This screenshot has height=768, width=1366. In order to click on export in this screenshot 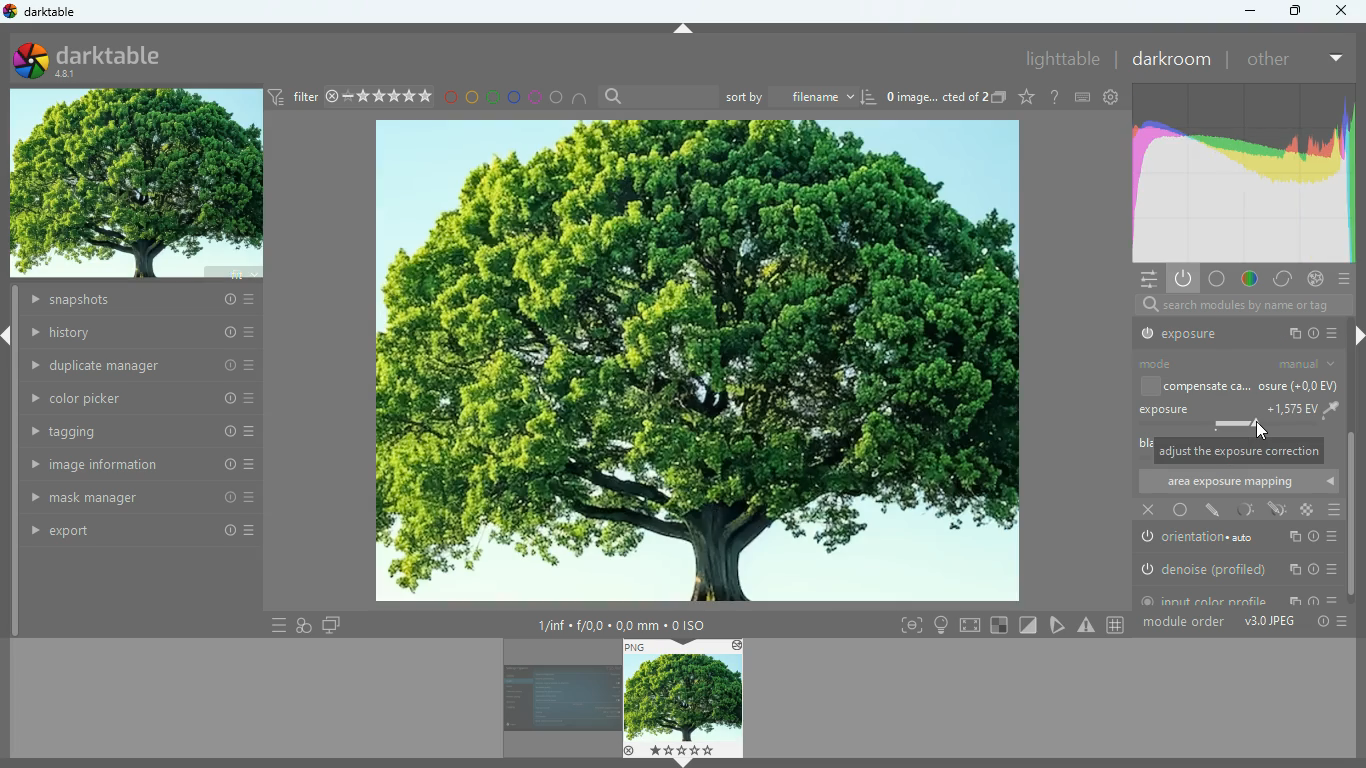, I will do `click(136, 531)`.